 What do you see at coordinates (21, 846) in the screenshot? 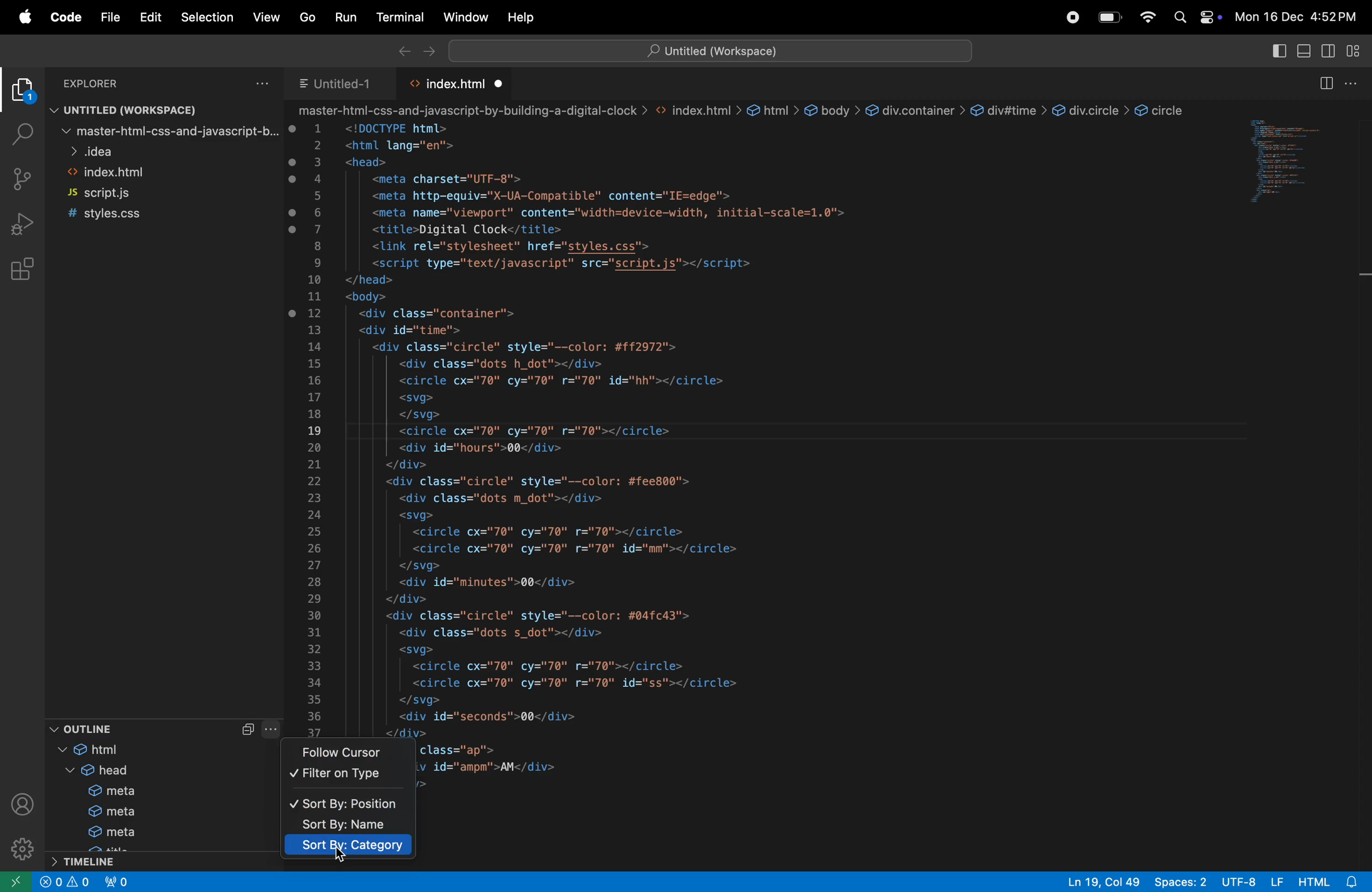
I see `settings` at bounding box center [21, 846].